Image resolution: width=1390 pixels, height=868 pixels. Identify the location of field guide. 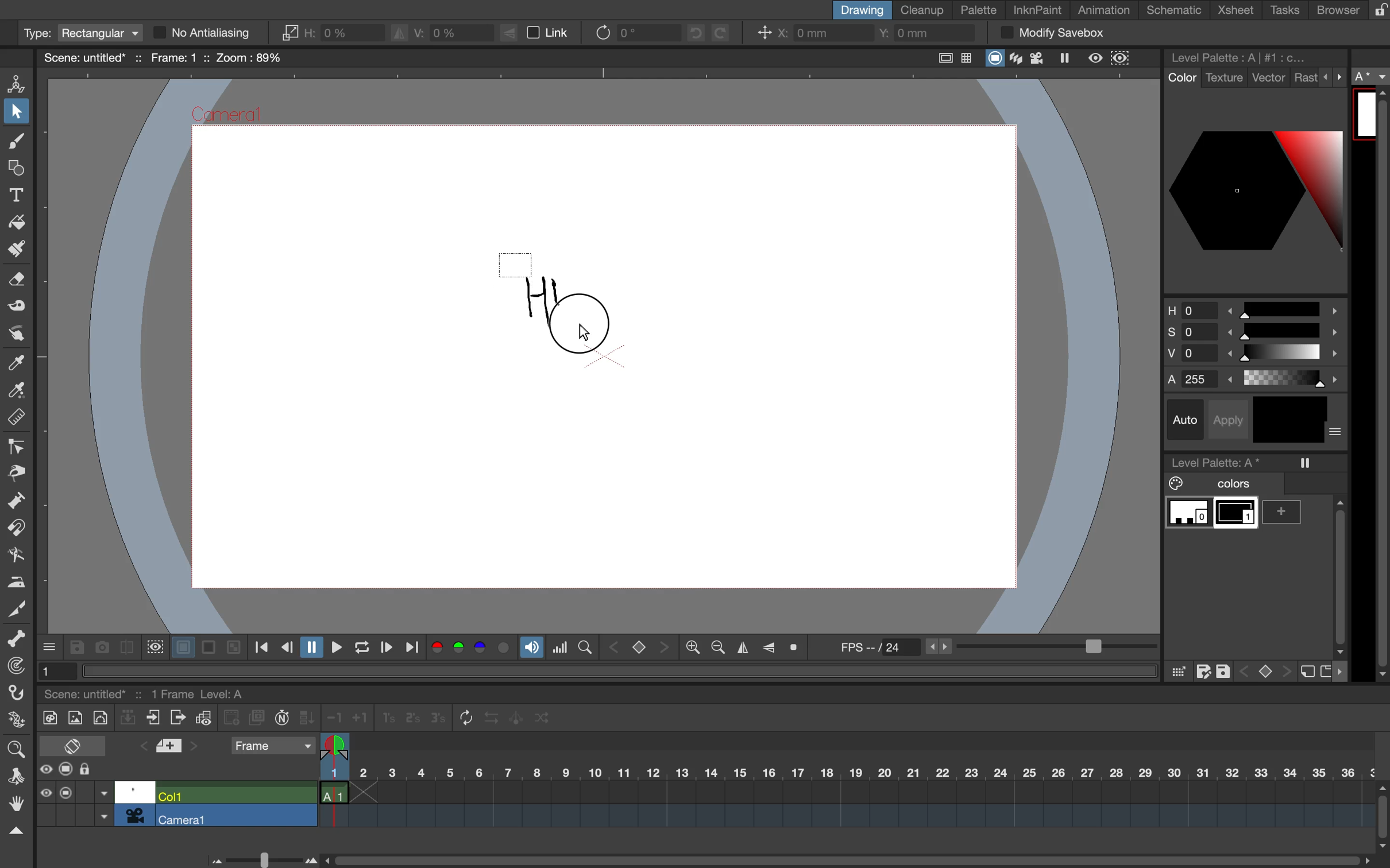
(967, 59).